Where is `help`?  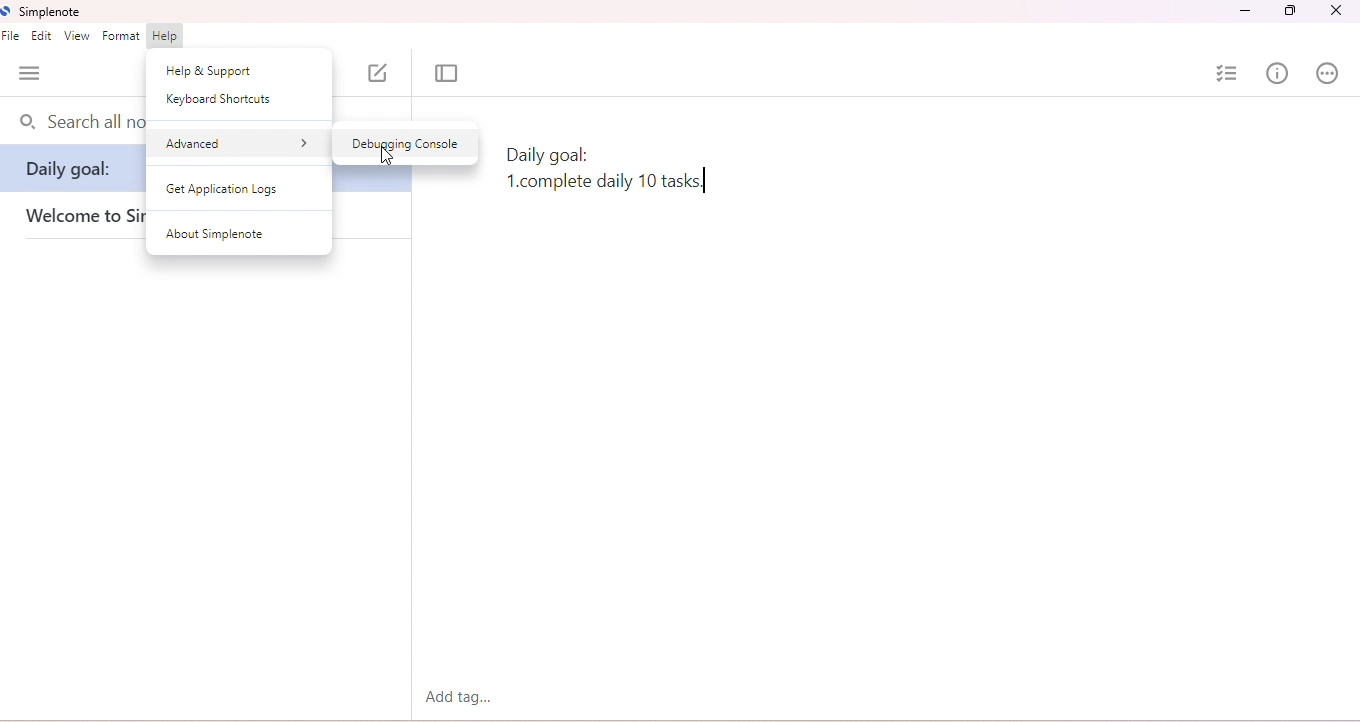 help is located at coordinates (167, 36).